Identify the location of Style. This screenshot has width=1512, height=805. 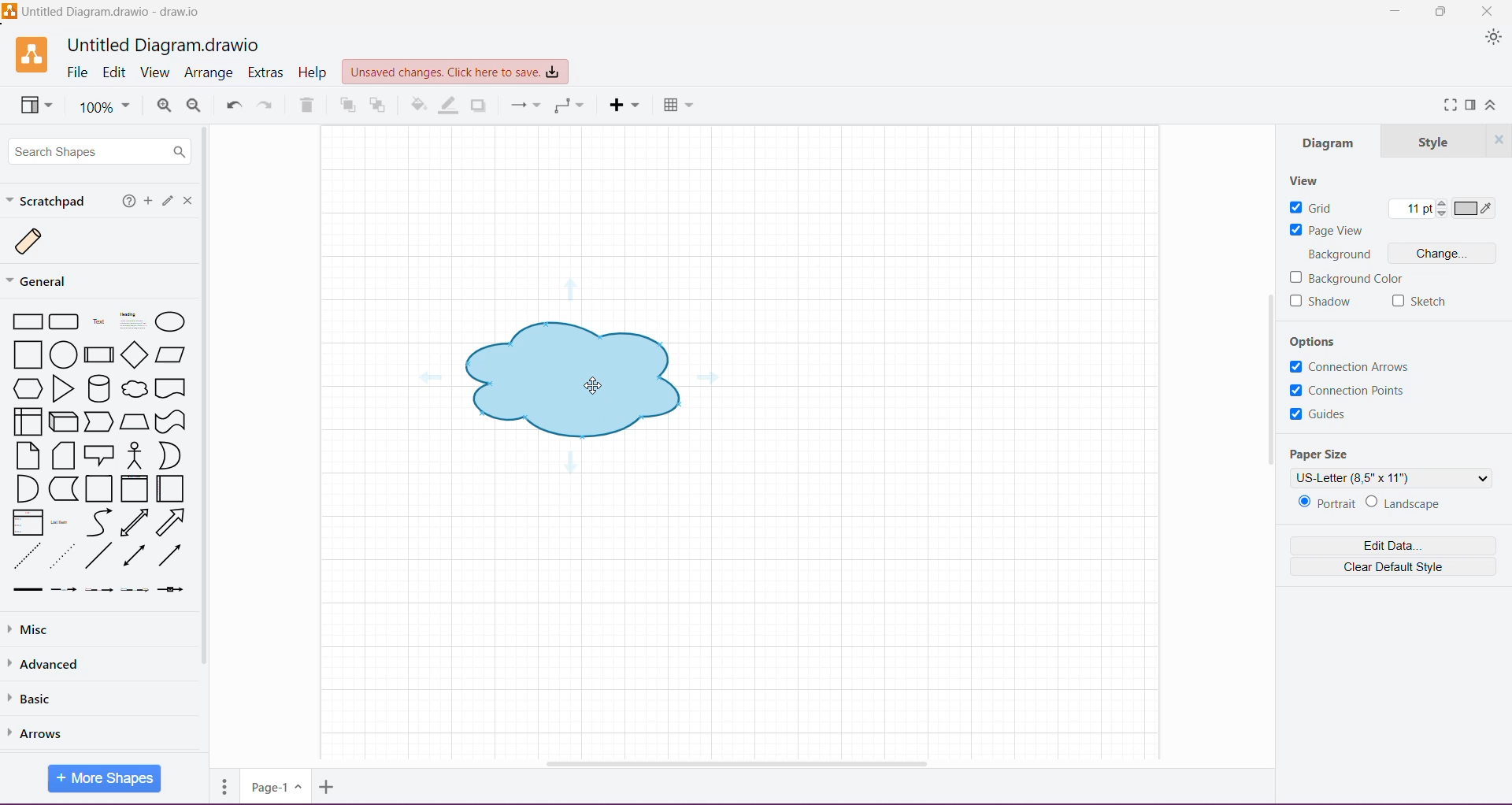
(1434, 140).